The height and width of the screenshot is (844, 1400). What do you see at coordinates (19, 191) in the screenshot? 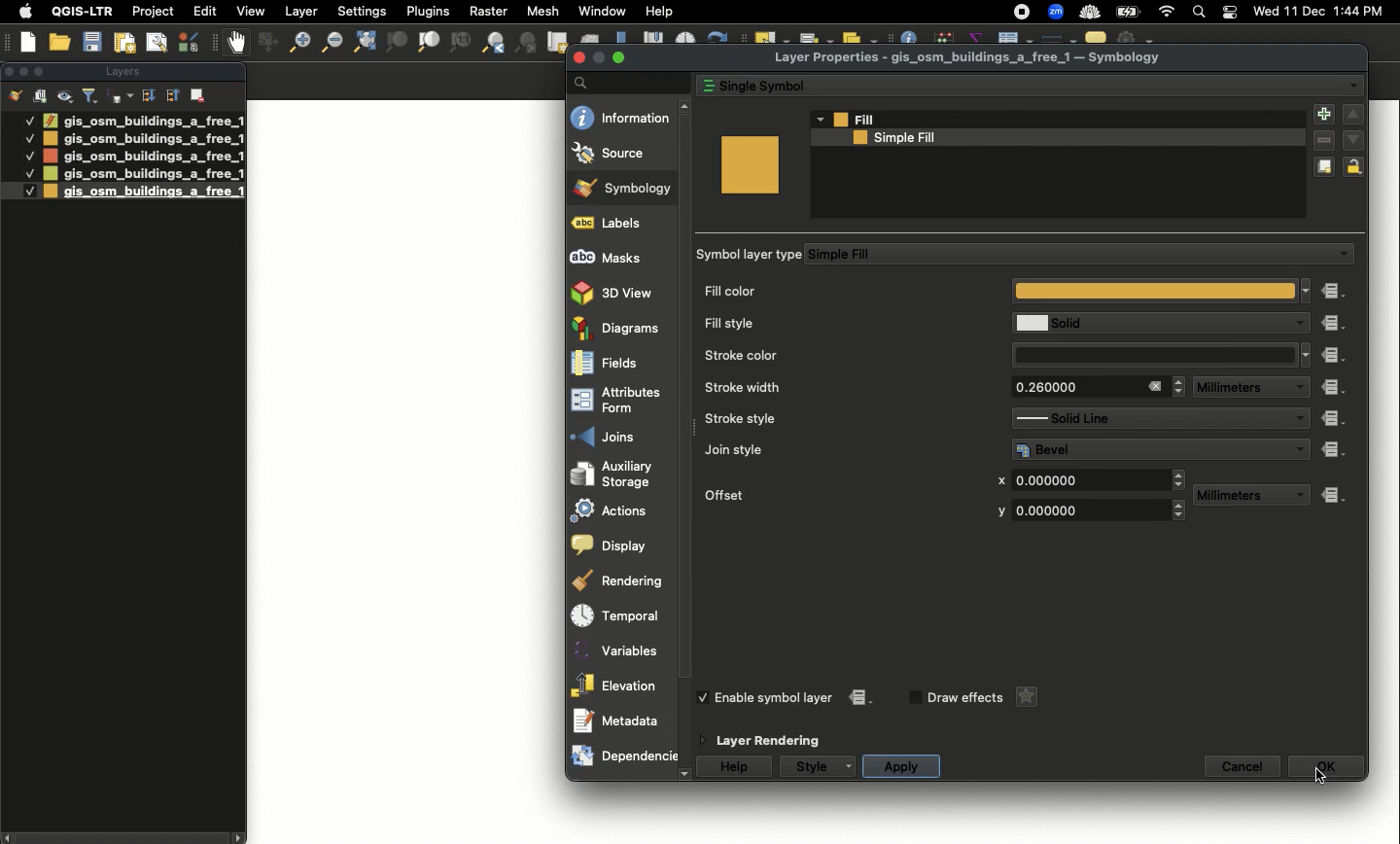
I see `Checked` at bounding box center [19, 191].